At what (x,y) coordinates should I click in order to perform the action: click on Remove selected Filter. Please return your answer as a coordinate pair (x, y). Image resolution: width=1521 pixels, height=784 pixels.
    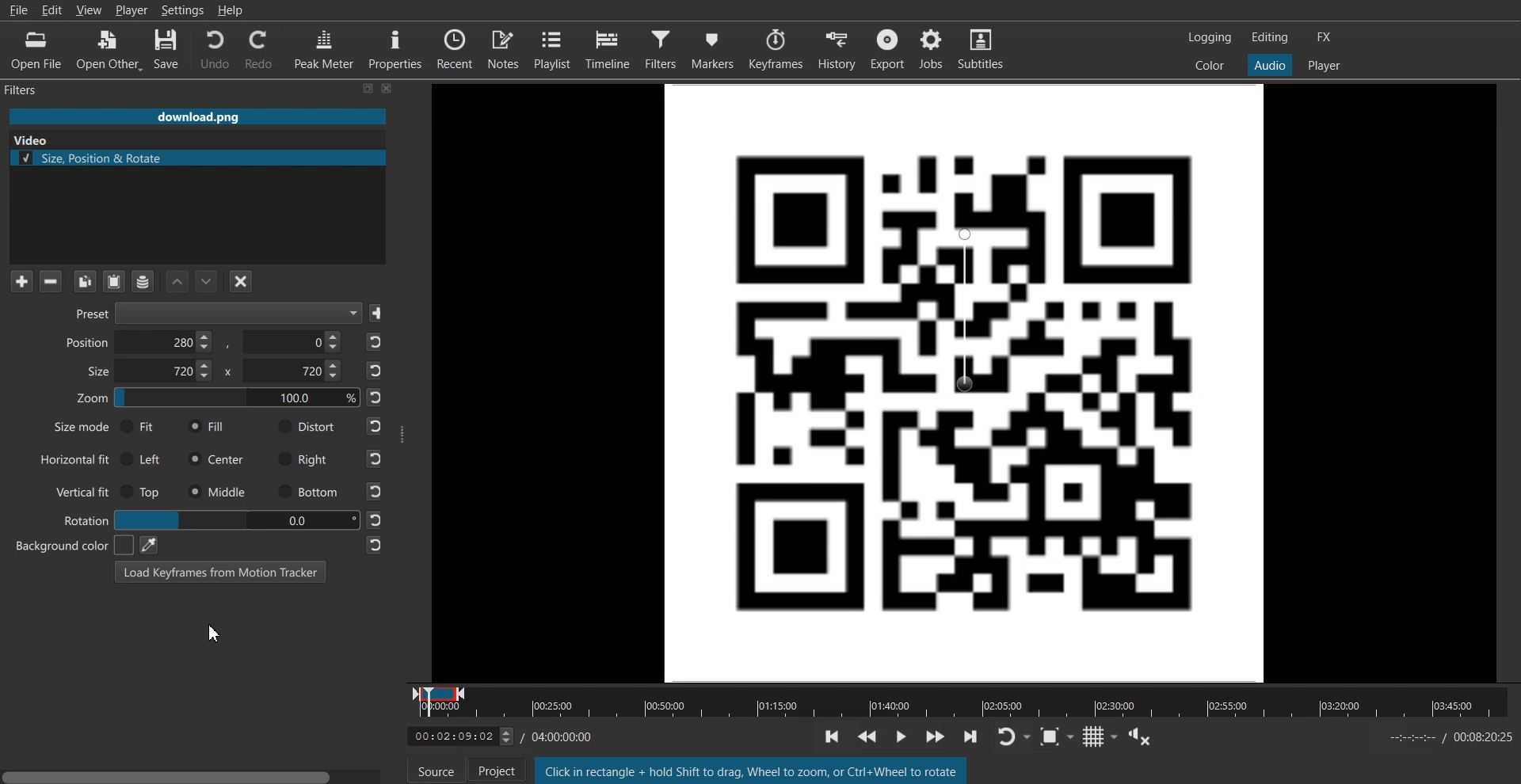
    Looking at the image, I should click on (50, 281).